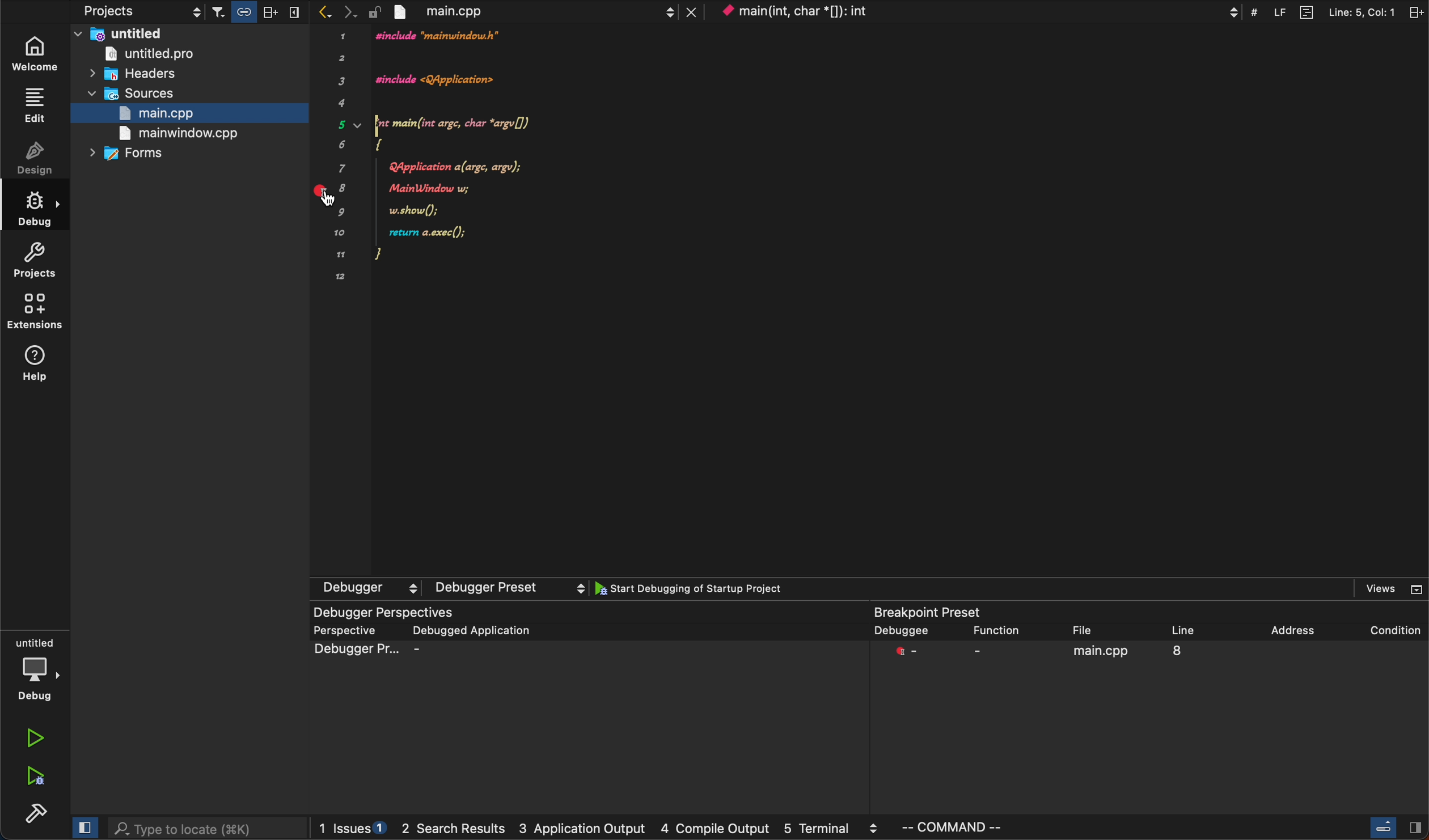 The height and width of the screenshot is (840, 1429). Describe the element at coordinates (255, 12) in the screenshot. I see `filters` at that location.